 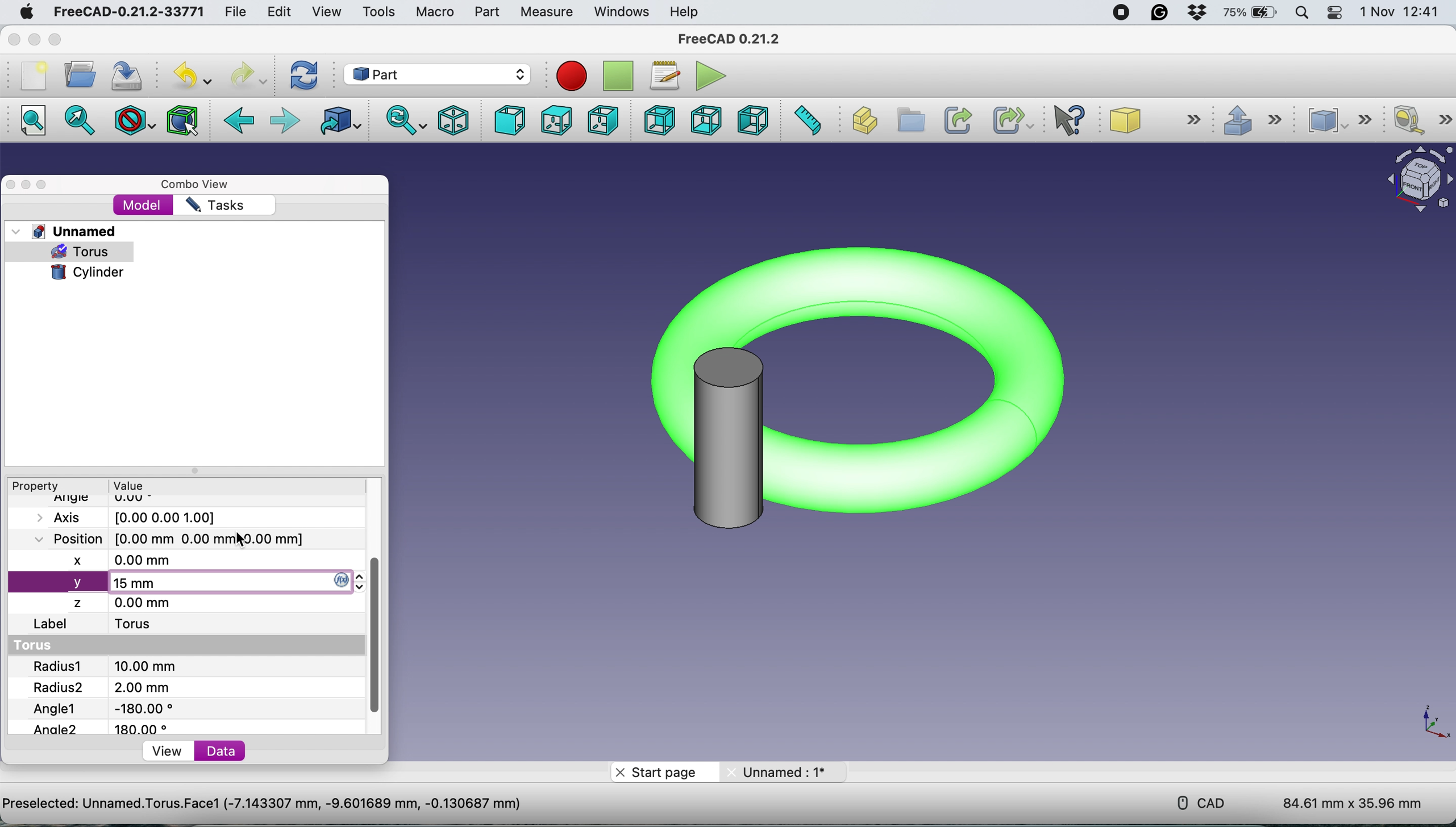 What do you see at coordinates (1251, 12) in the screenshot?
I see `battery` at bounding box center [1251, 12].